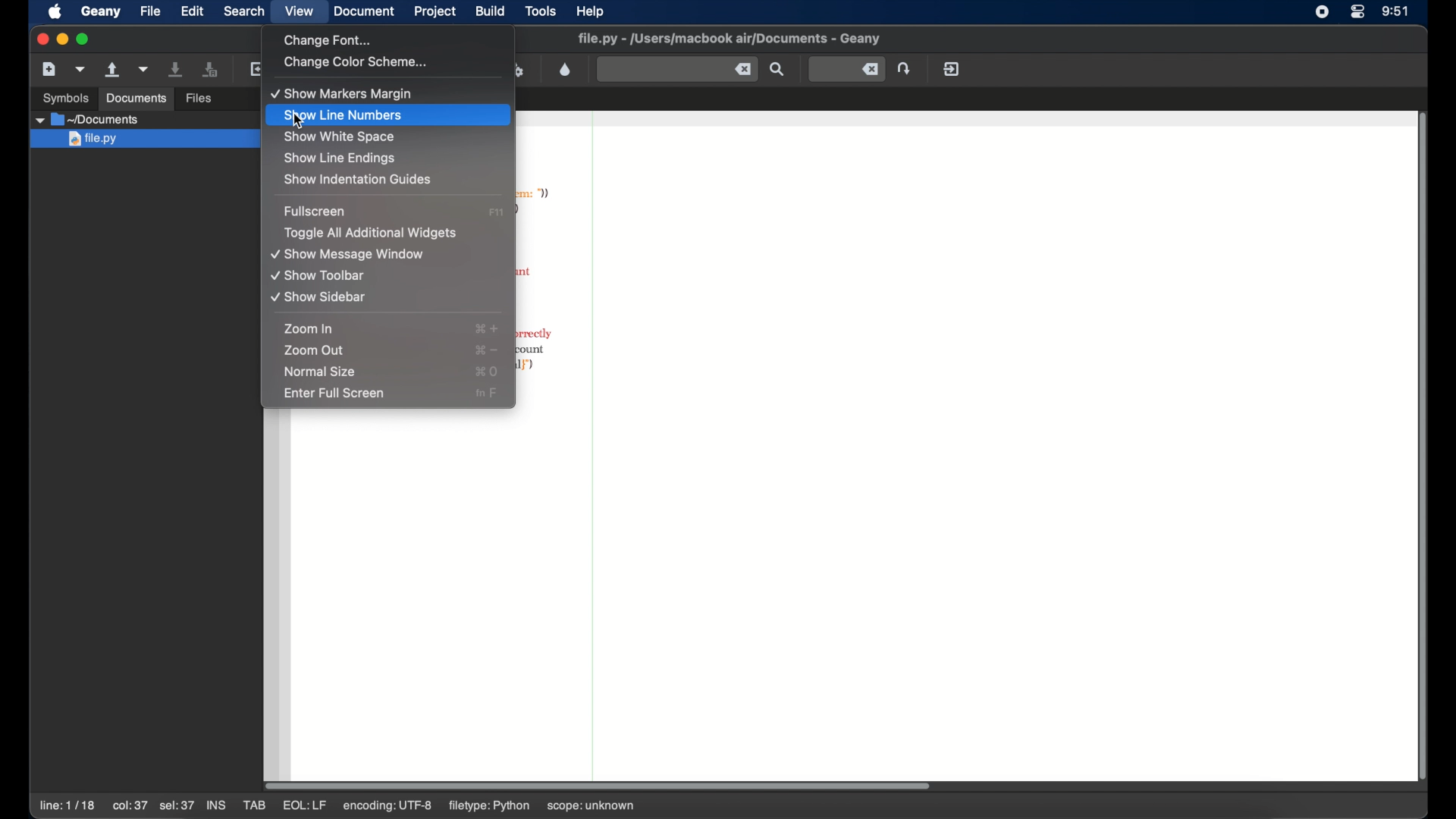 This screenshot has width=1456, height=819. What do you see at coordinates (491, 11) in the screenshot?
I see `build` at bounding box center [491, 11].